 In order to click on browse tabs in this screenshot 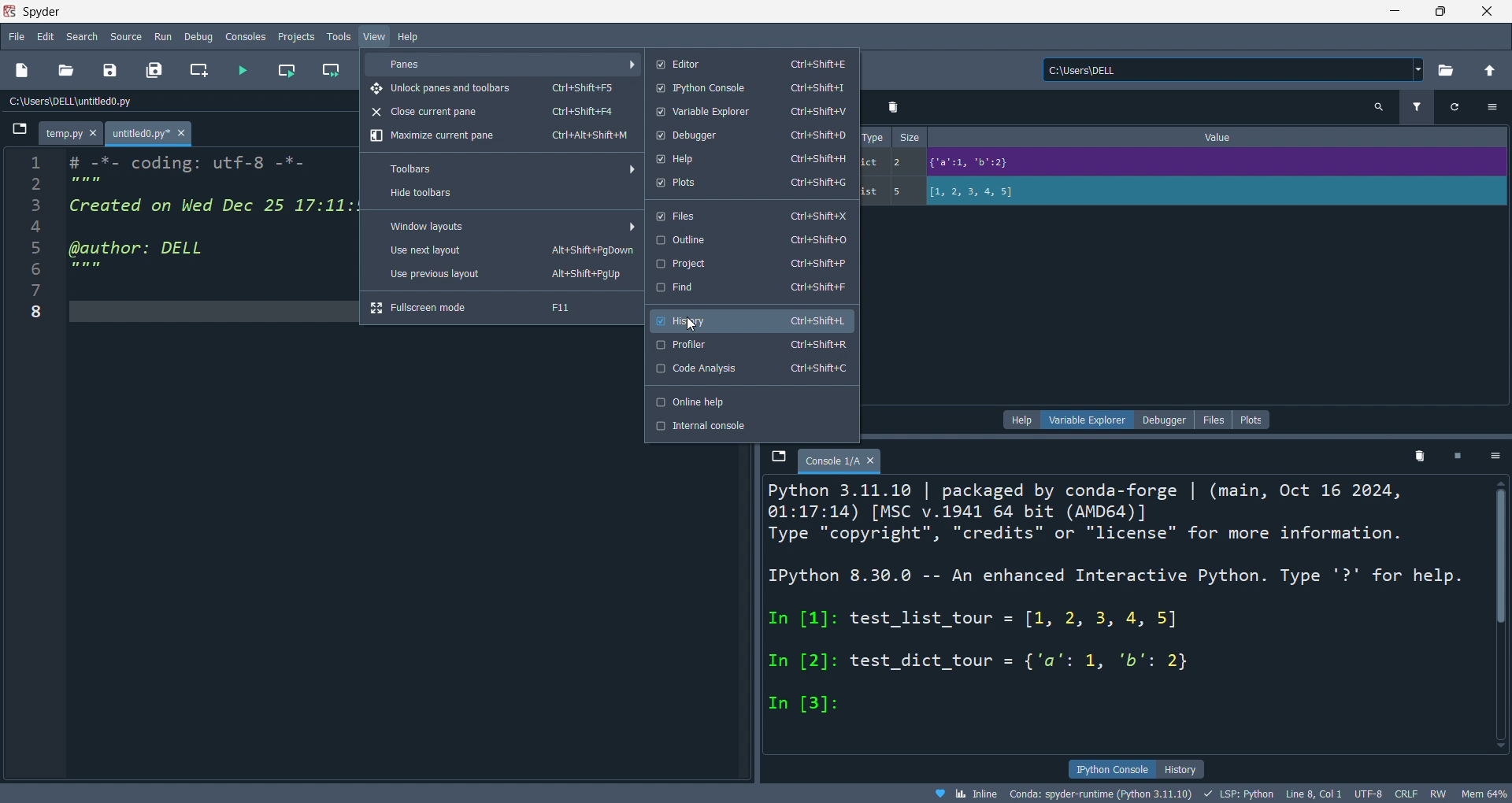, I will do `click(777, 457)`.